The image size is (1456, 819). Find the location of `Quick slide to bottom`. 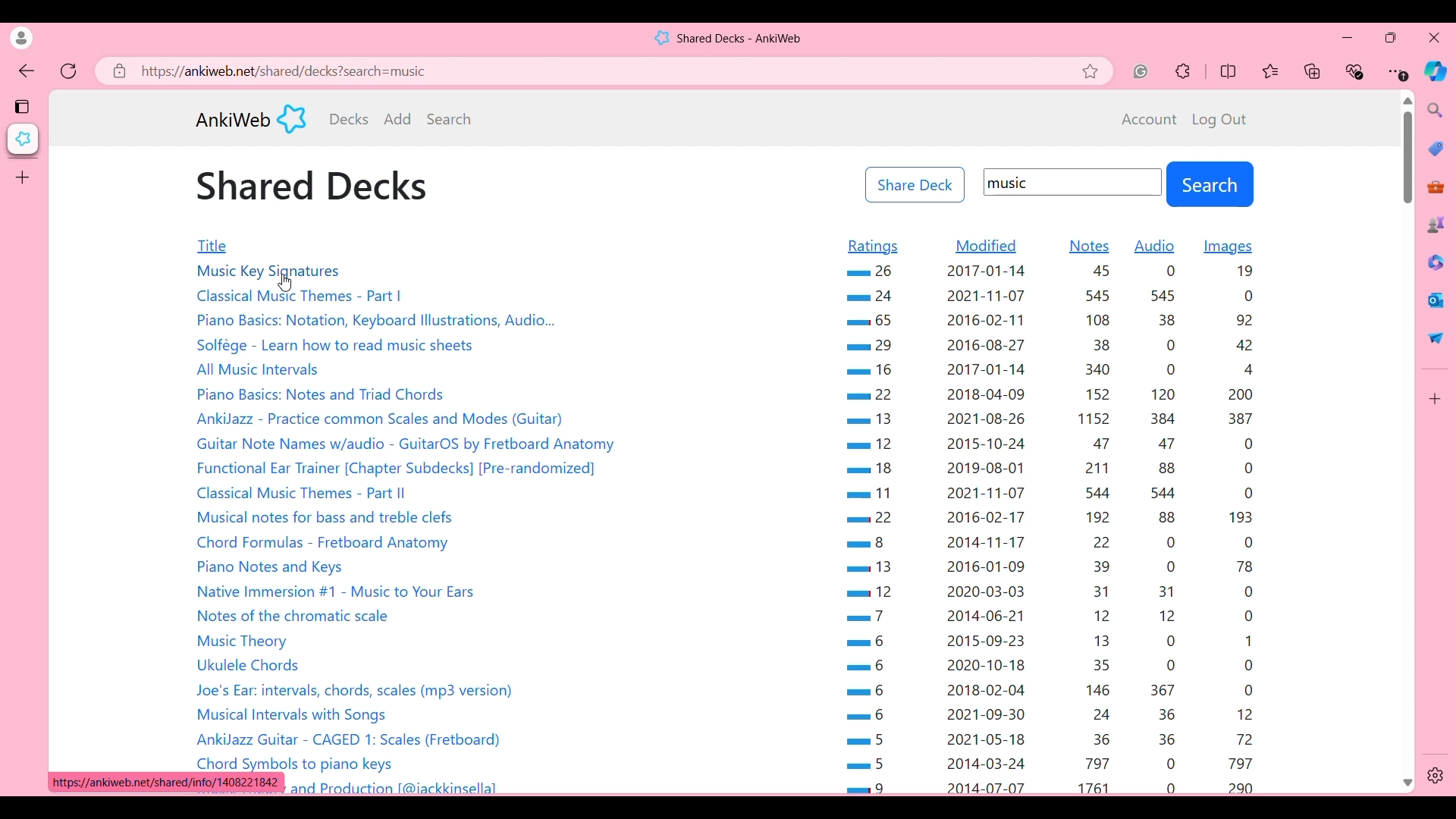

Quick slide to bottom is located at coordinates (1407, 783).